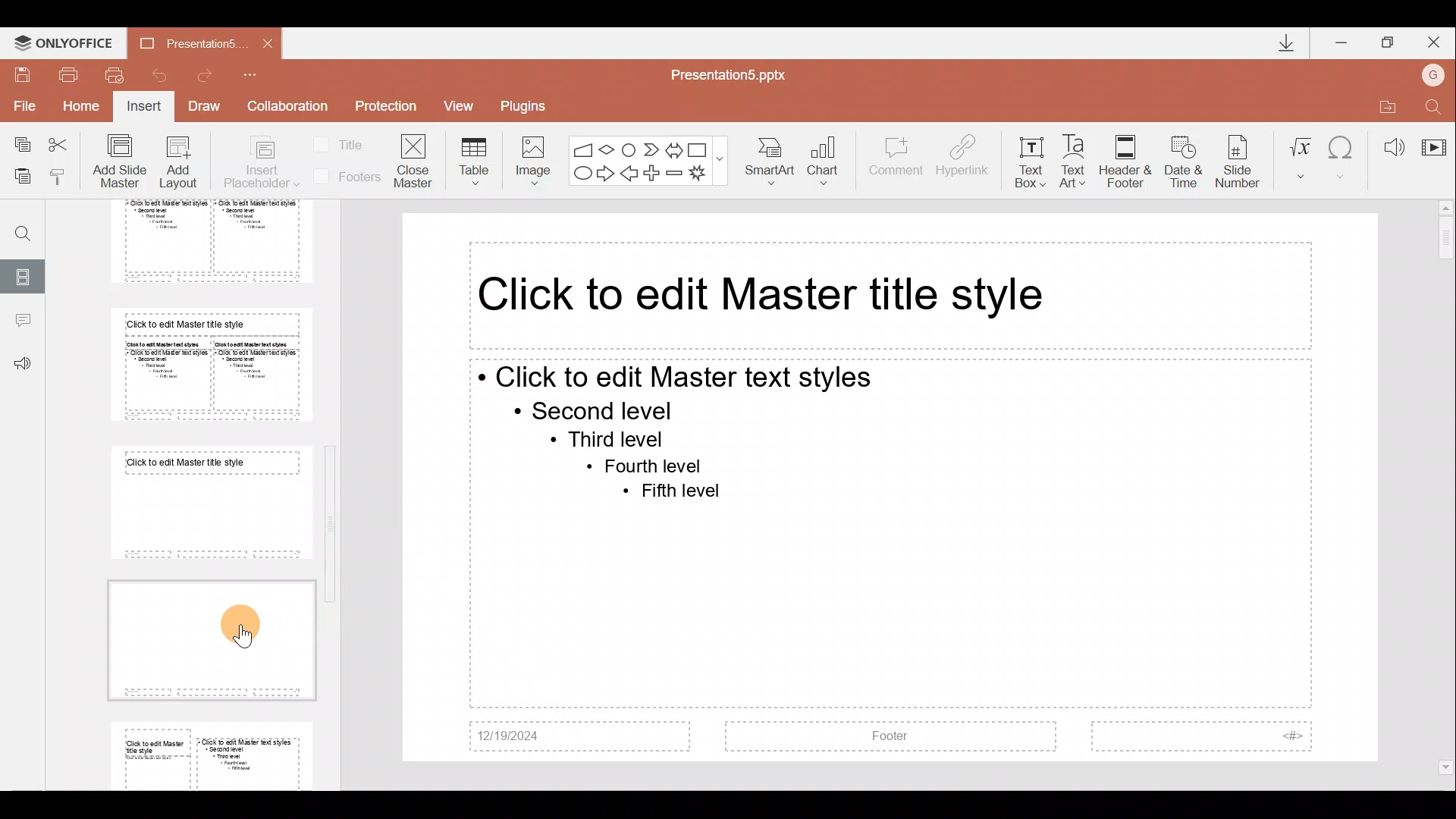  I want to click on Find, so click(17, 227).